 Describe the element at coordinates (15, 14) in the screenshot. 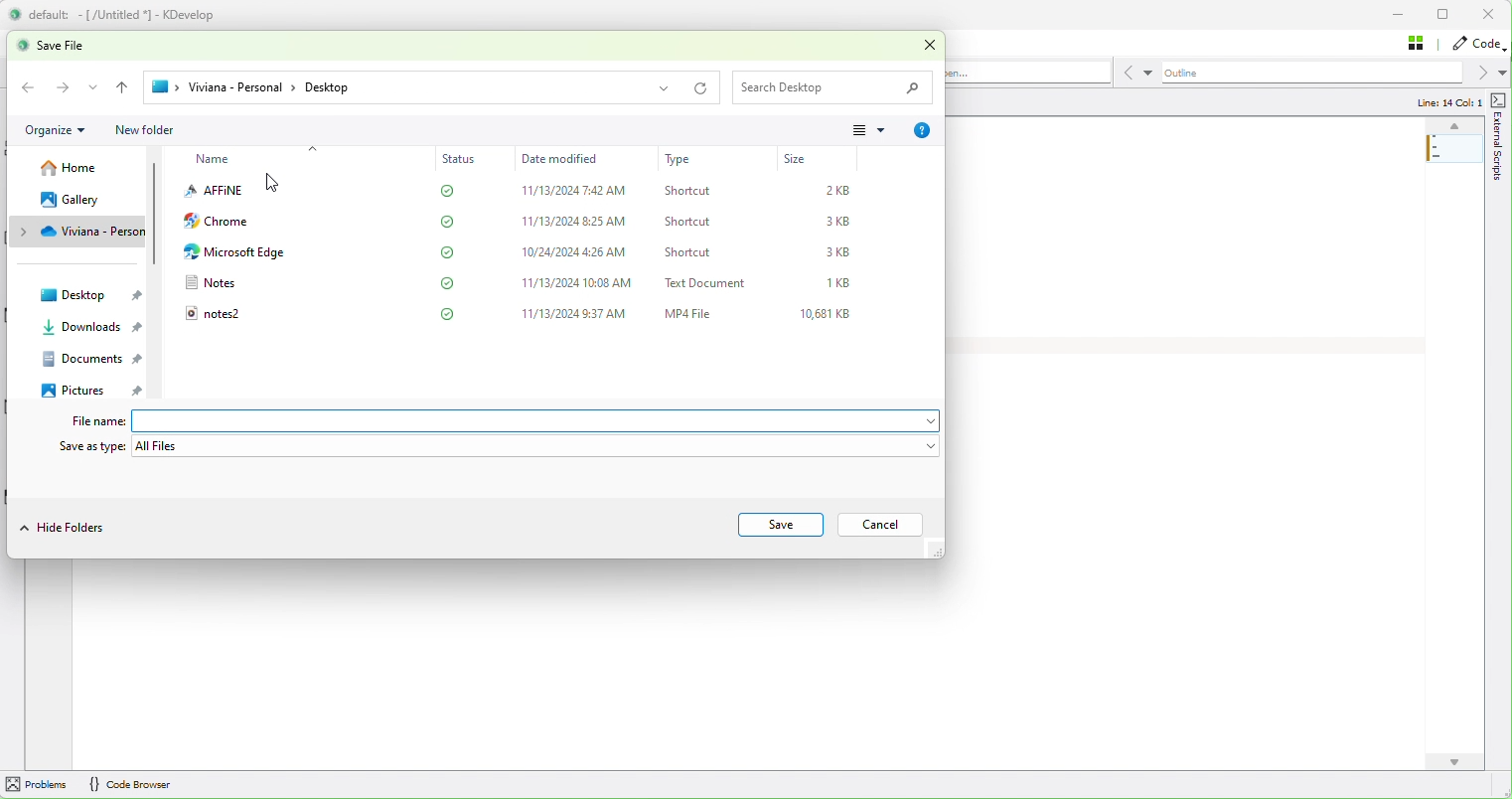

I see `logo` at that location.